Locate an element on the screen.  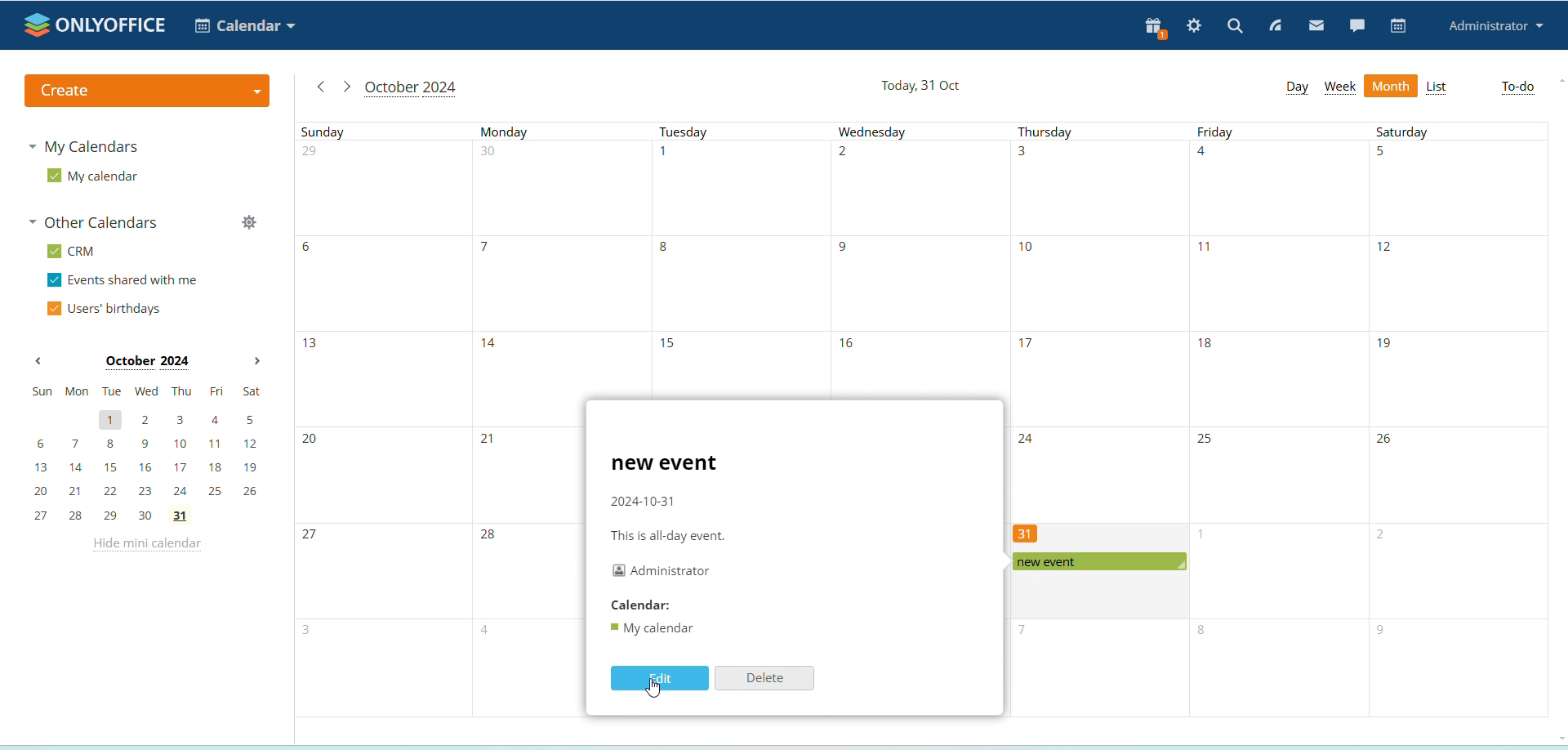
mail is located at coordinates (1317, 27).